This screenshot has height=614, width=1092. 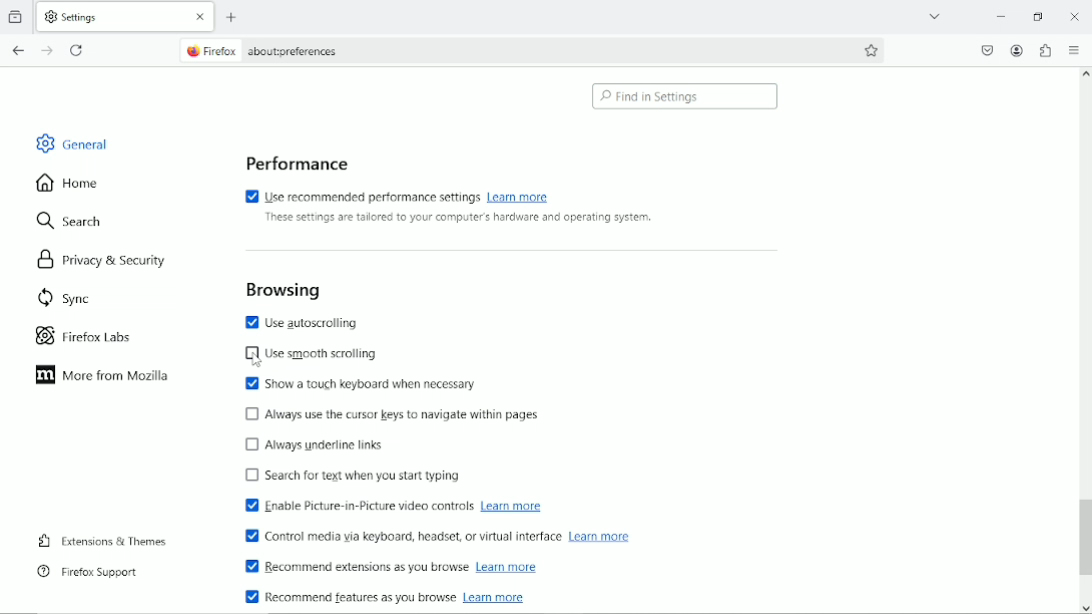 I want to click on search, so click(x=72, y=222).